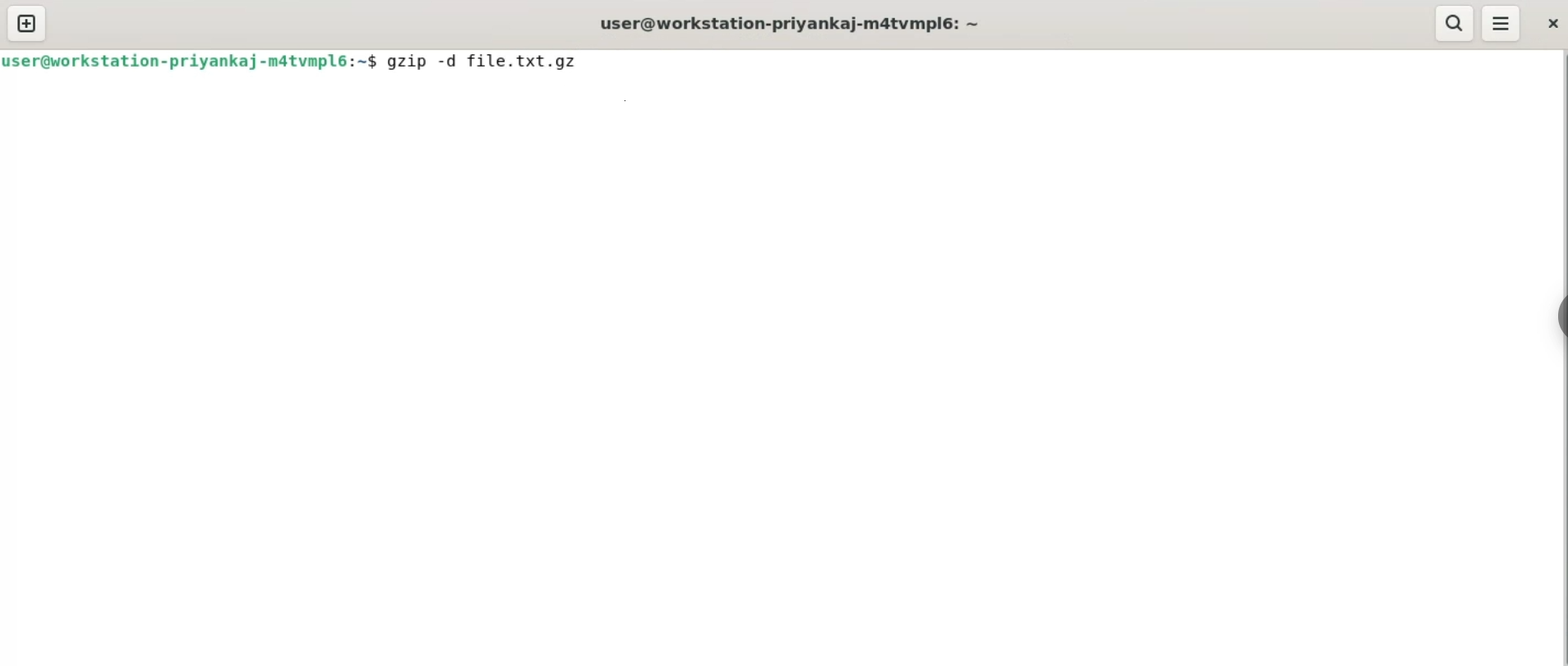 This screenshot has width=1568, height=666. I want to click on menu, so click(1502, 23).